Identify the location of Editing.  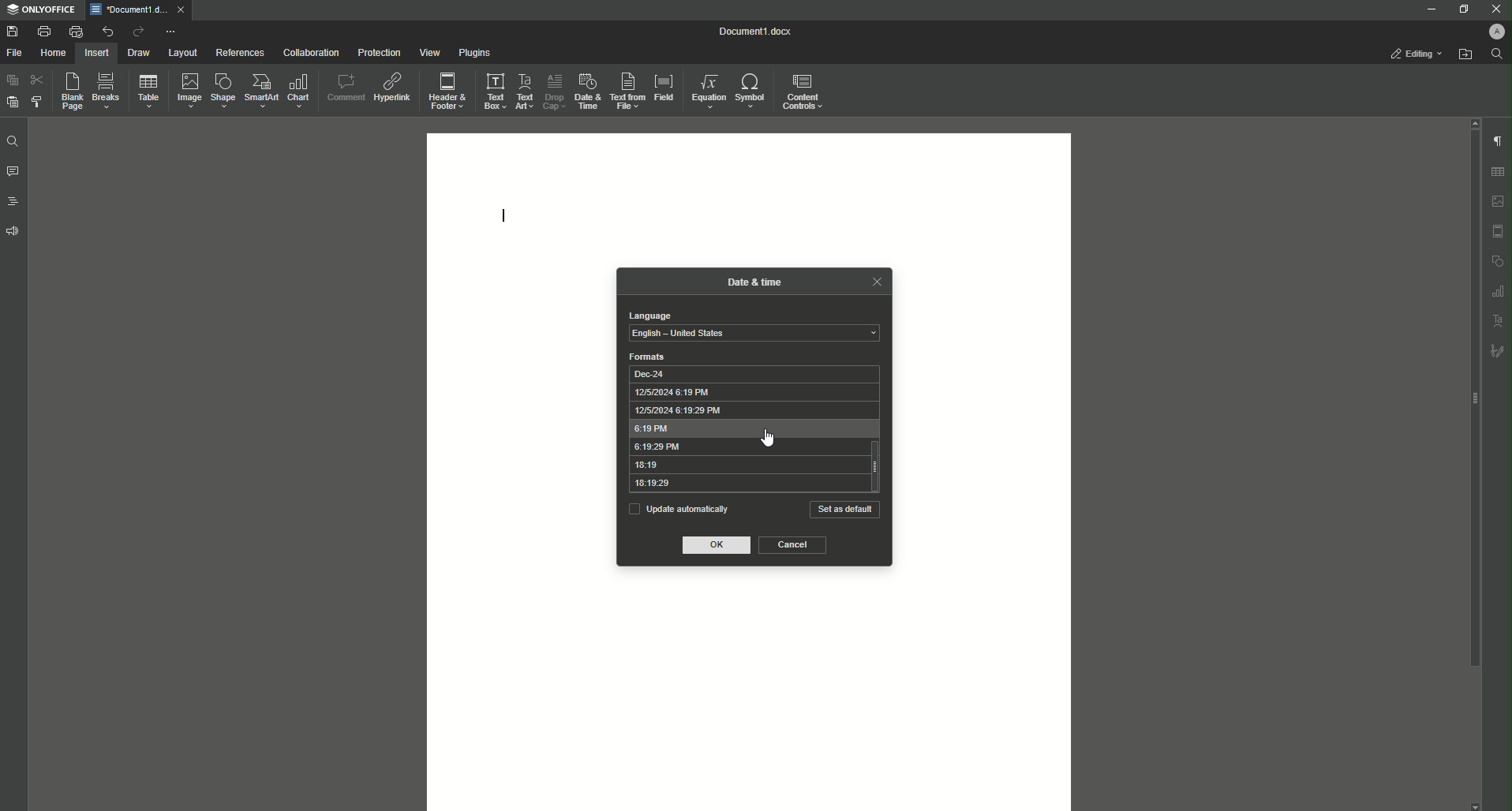
(1417, 54).